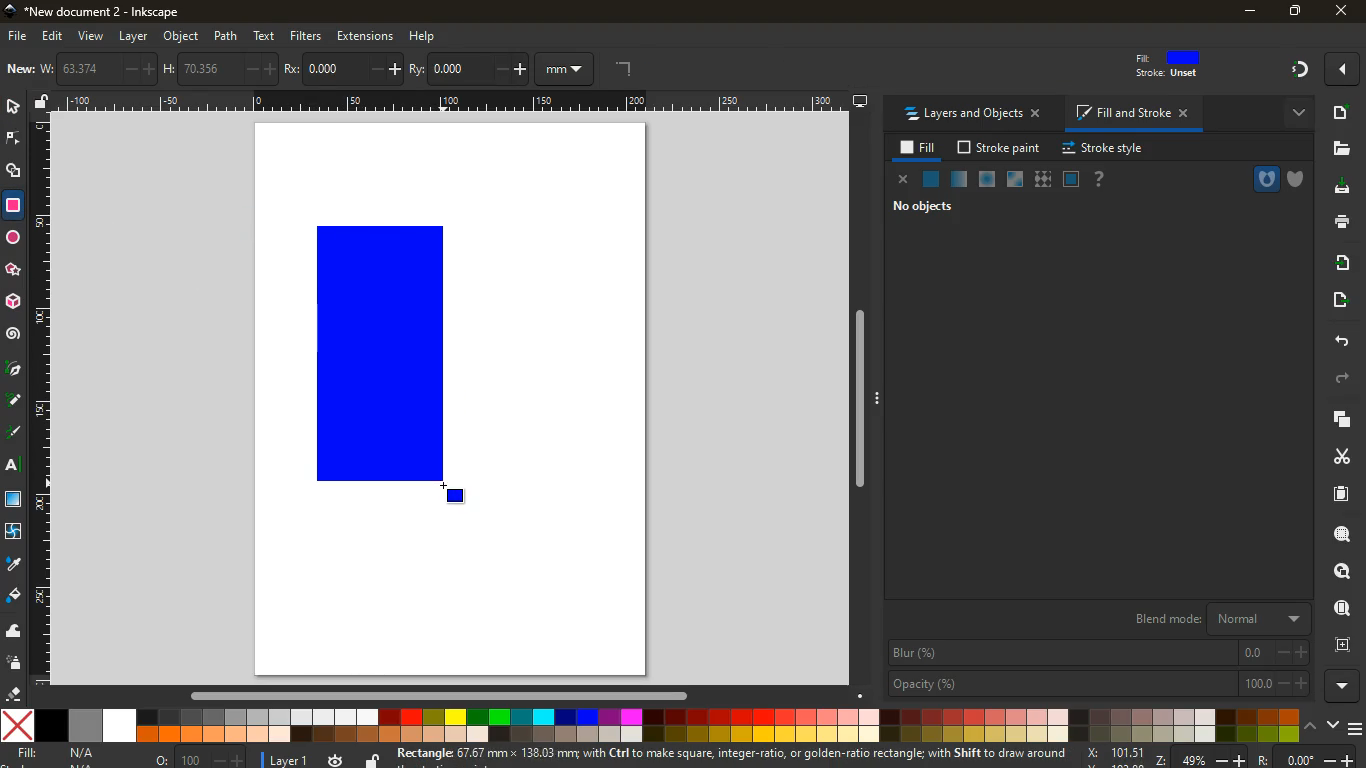 The height and width of the screenshot is (768, 1366). I want to click on cut, so click(1337, 456).